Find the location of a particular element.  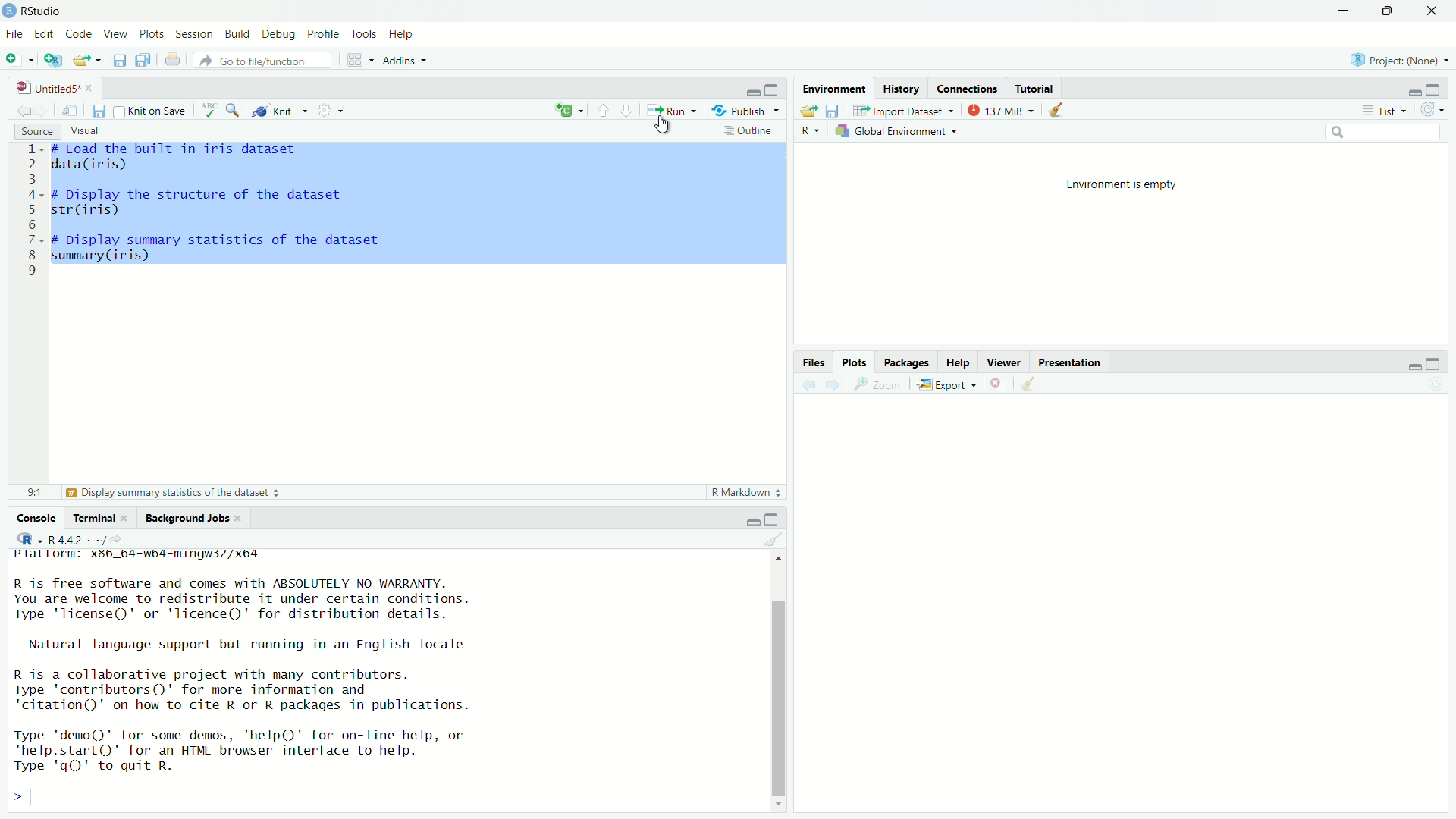

R is located at coordinates (811, 130).